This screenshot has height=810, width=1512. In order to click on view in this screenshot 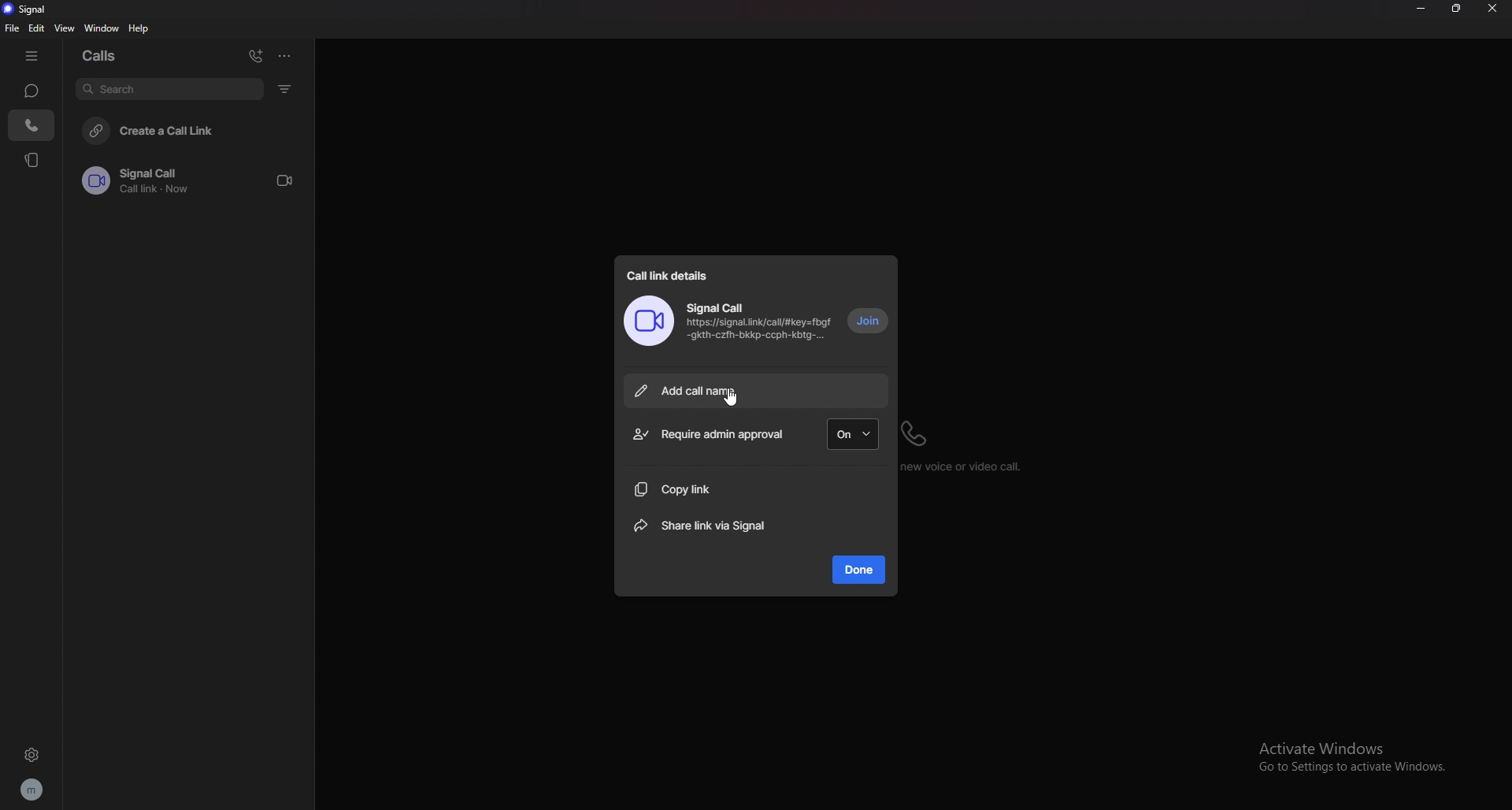, I will do `click(65, 28)`.